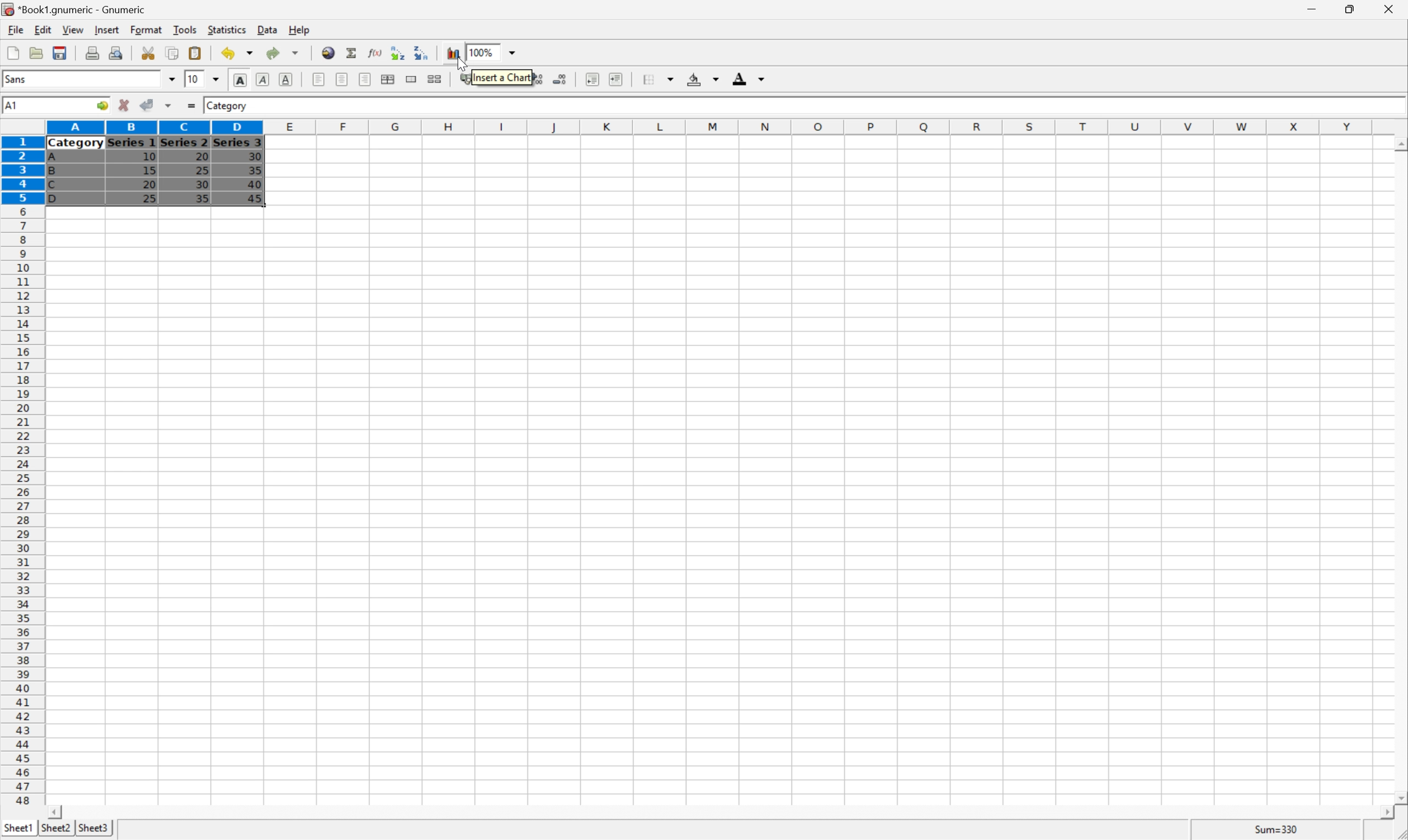 The width and height of the screenshot is (1408, 840). Describe the element at coordinates (747, 77) in the screenshot. I see `Foreground` at that location.